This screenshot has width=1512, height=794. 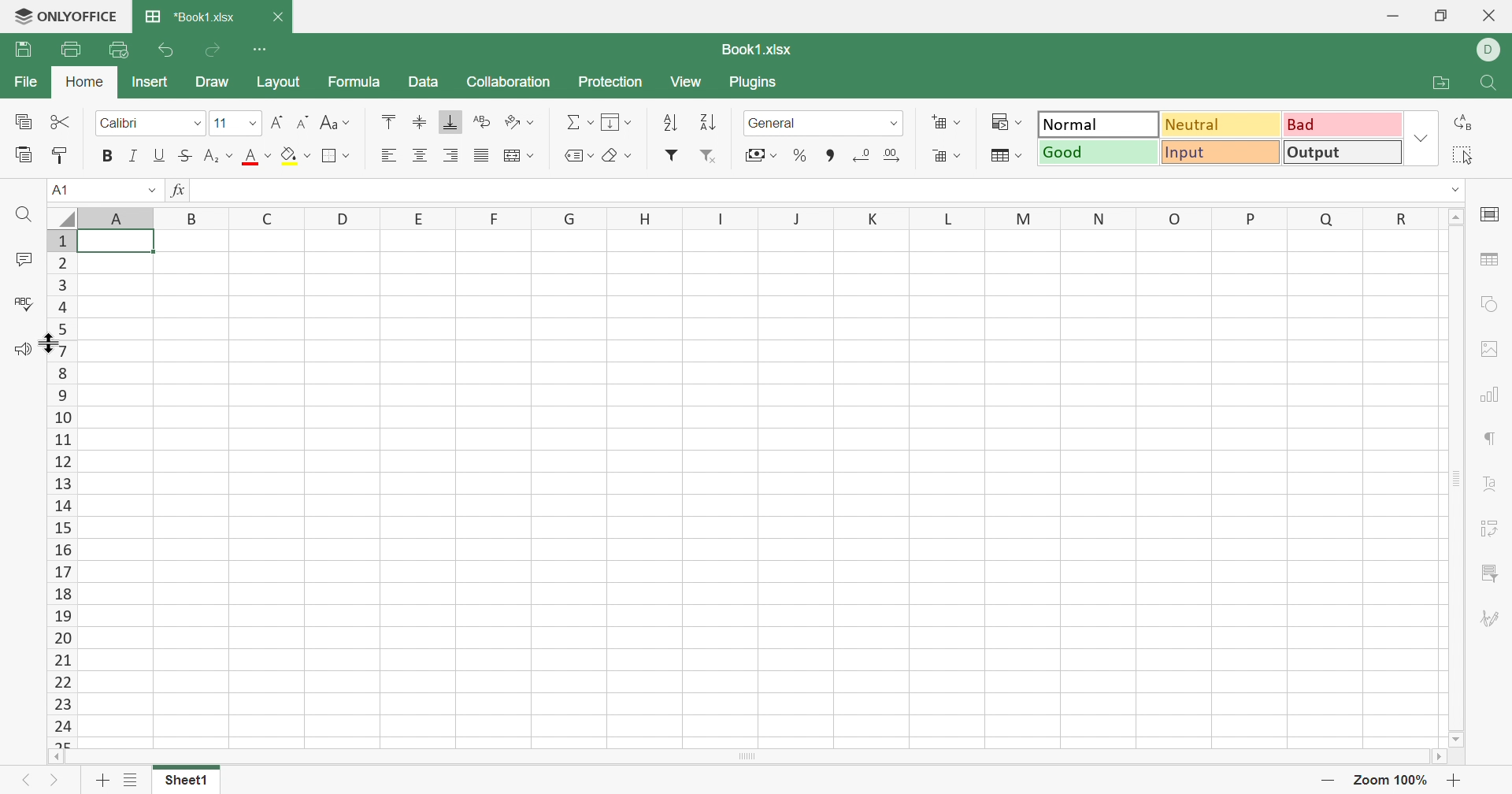 I want to click on Pivot Table settings, so click(x=1492, y=529).